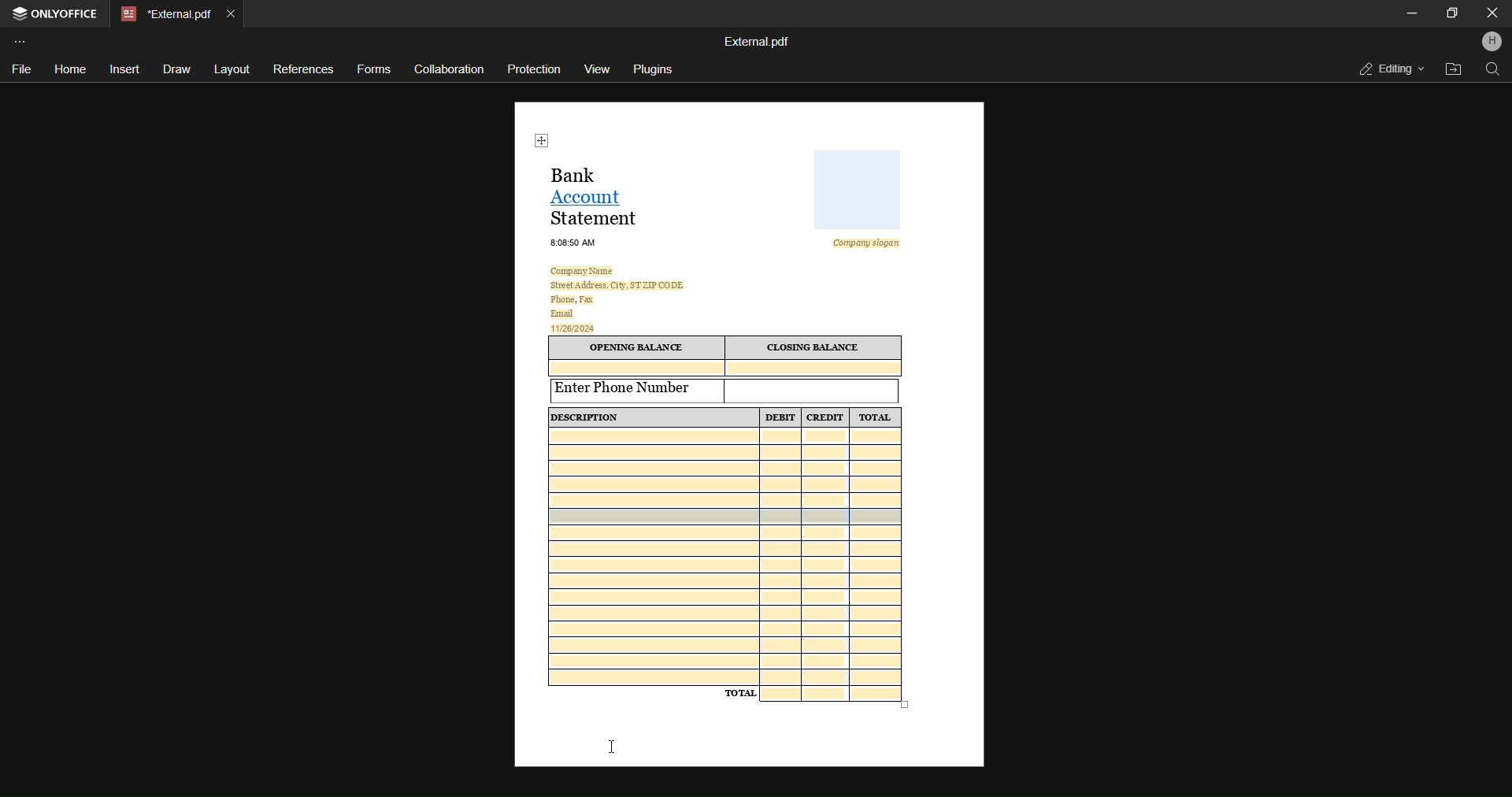 This screenshot has height=797, width=1512. What do you see at coordinates (638, 389) in the screenshot?
I see `Enter Phone Number` at bounding box center [638, 389].